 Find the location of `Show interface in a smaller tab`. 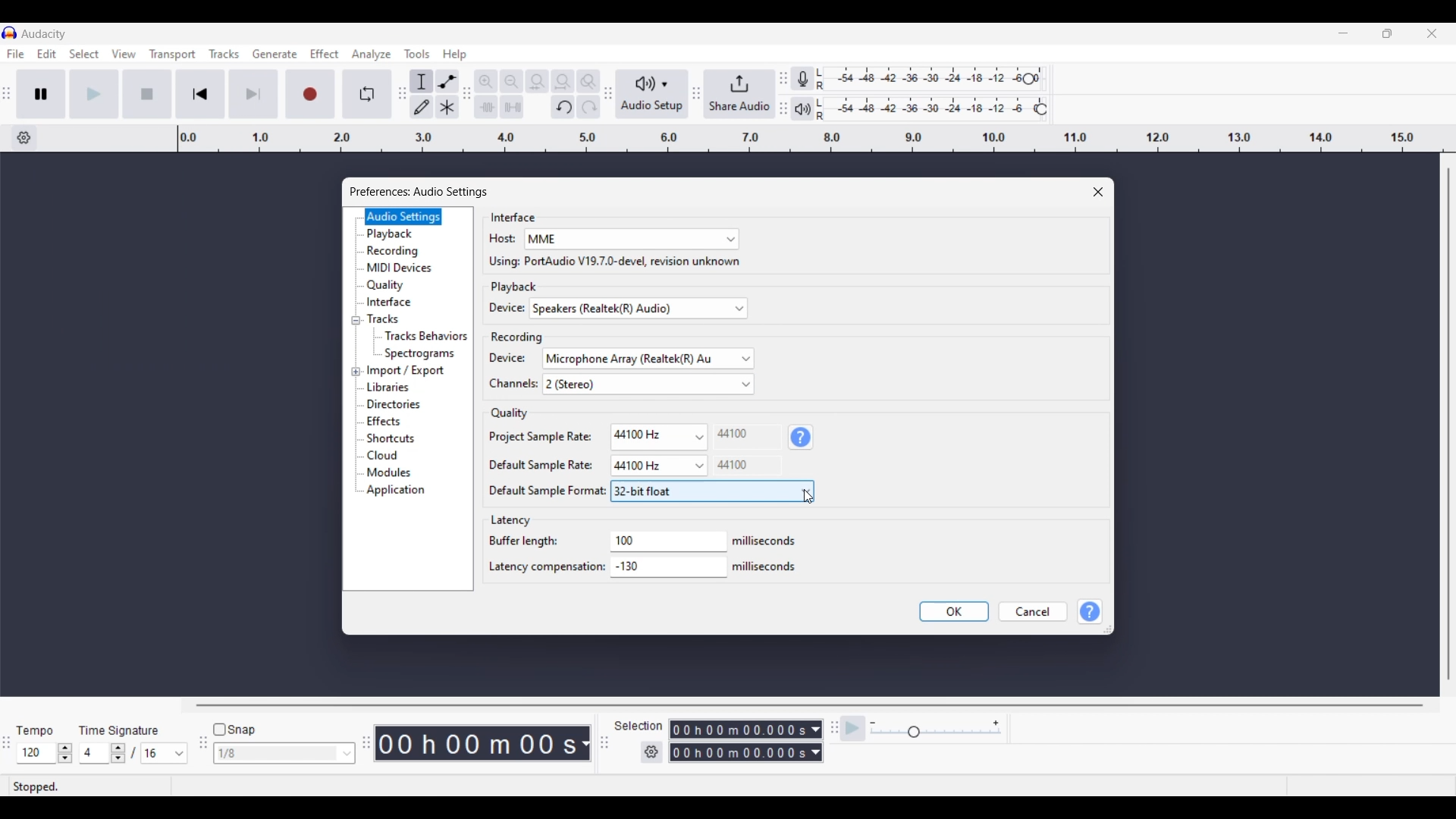

Show interface in a smaller tab is located at coordinates (1387, 33).